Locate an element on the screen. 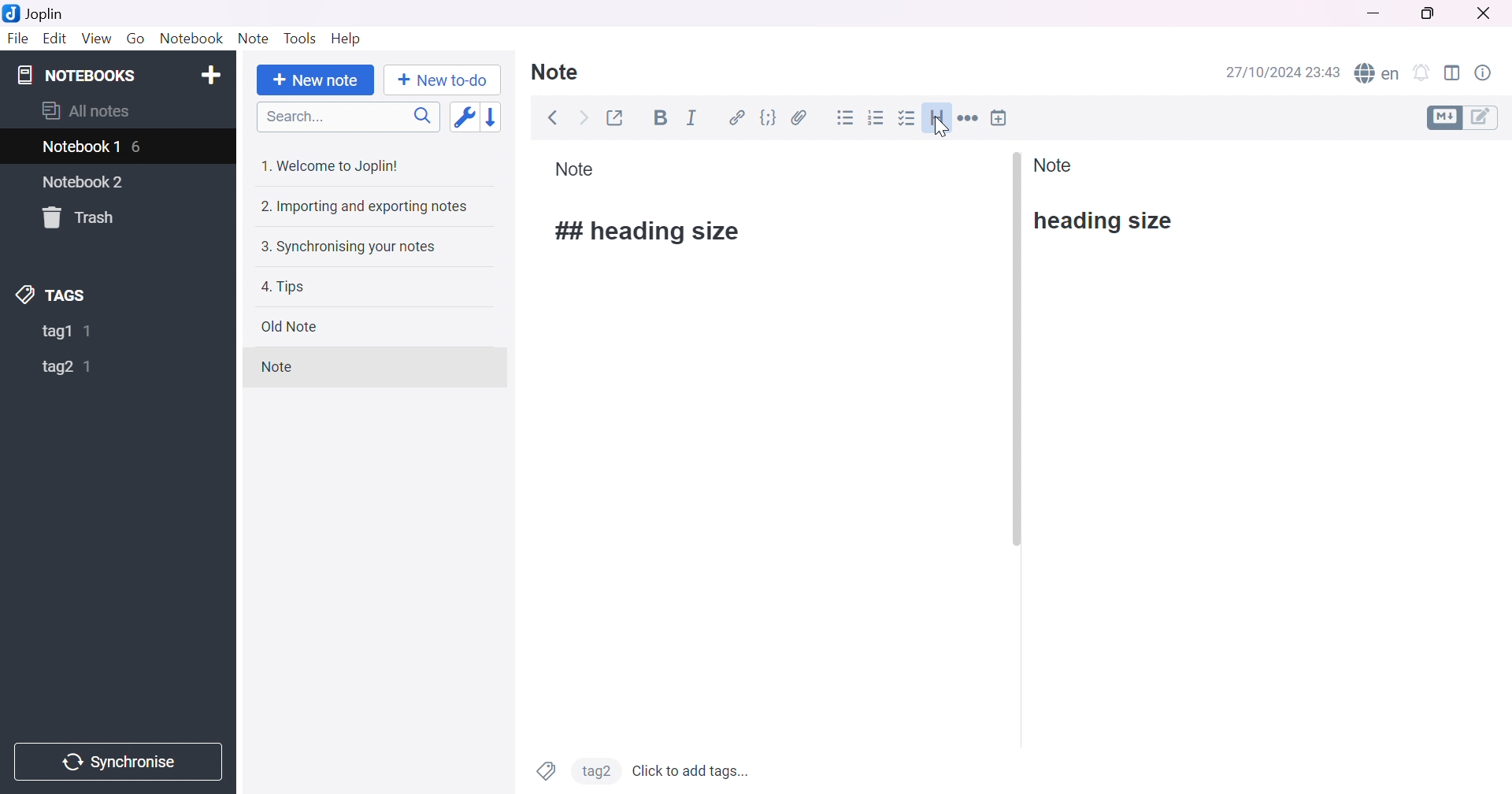 The width and height of the screenshot is (1512, 794). size increased is located at coordinates (1106, 221).